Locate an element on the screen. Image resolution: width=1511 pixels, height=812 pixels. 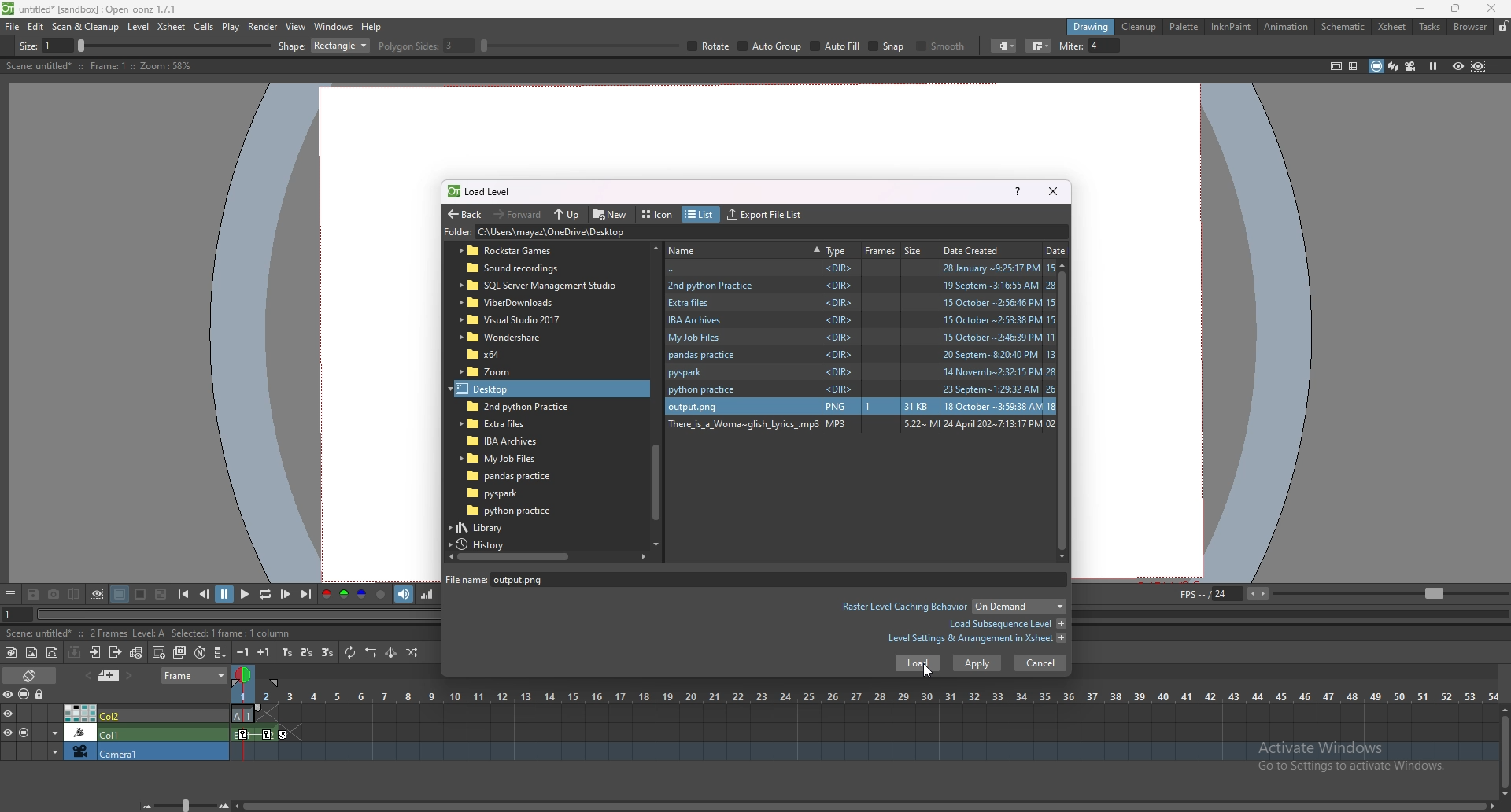
increase step is located at coordinates (264, 652).